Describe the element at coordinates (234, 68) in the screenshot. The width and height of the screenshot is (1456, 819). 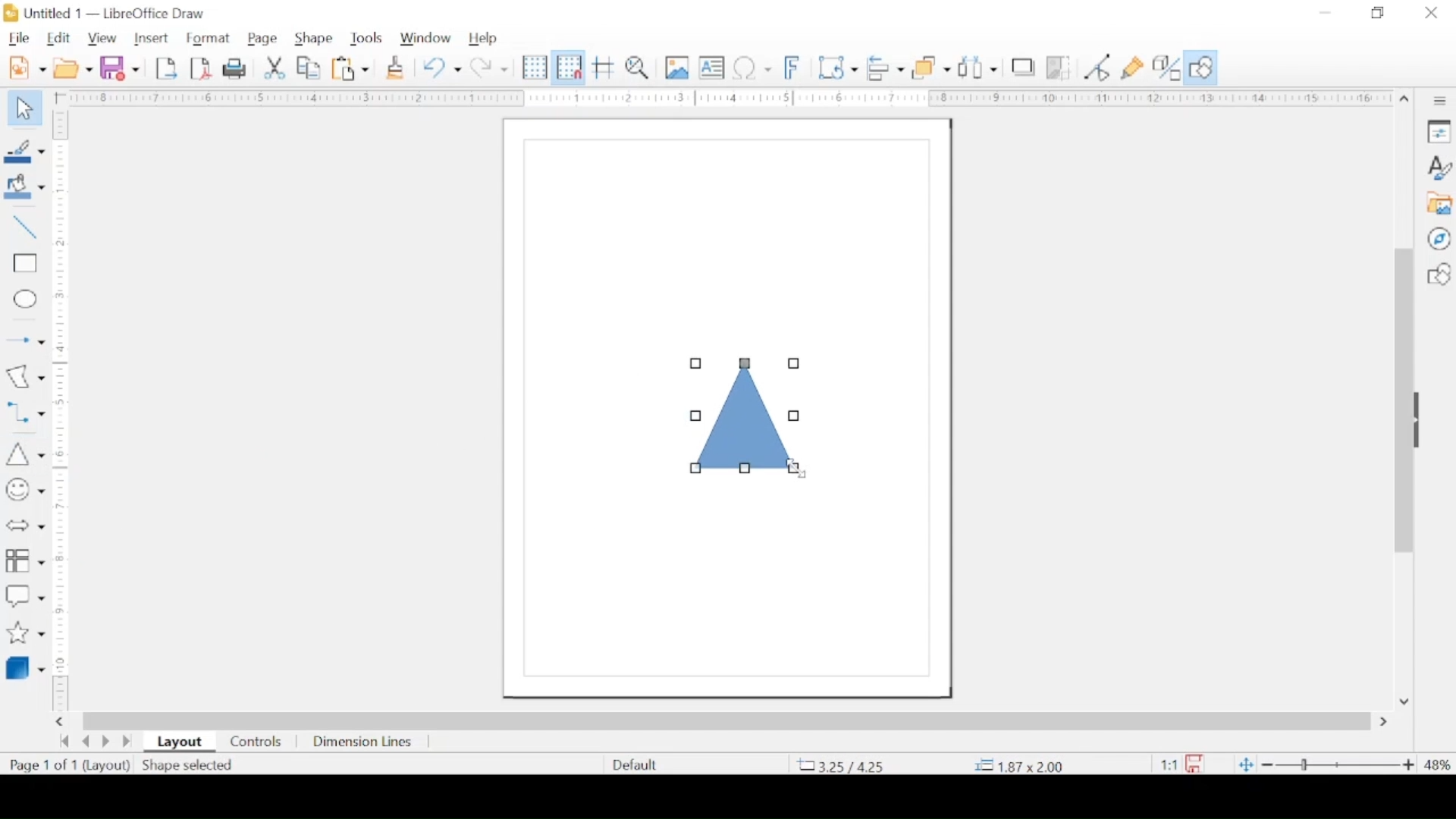
I see `print` at that location.